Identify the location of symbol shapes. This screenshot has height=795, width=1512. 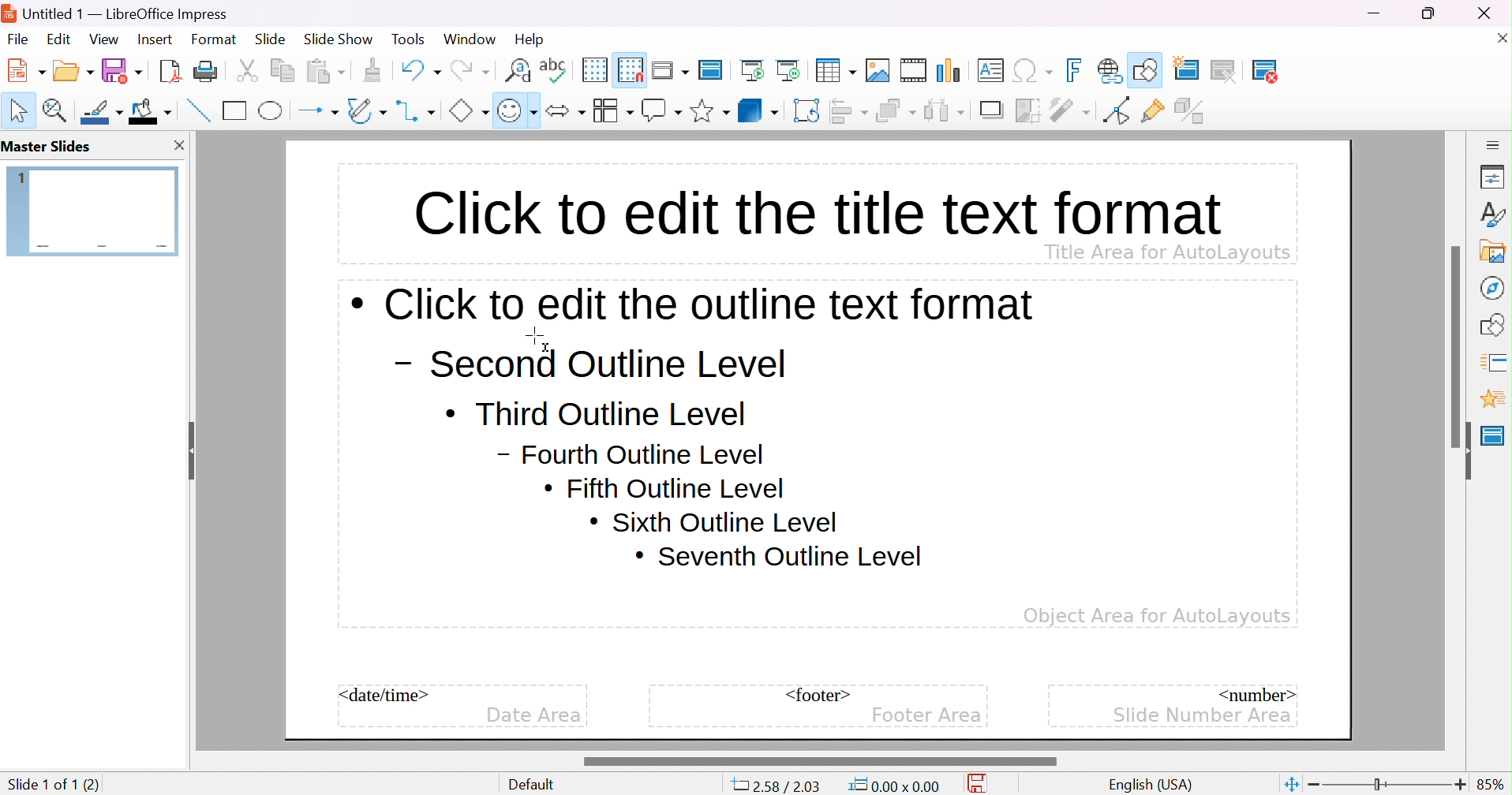
(517, 110).